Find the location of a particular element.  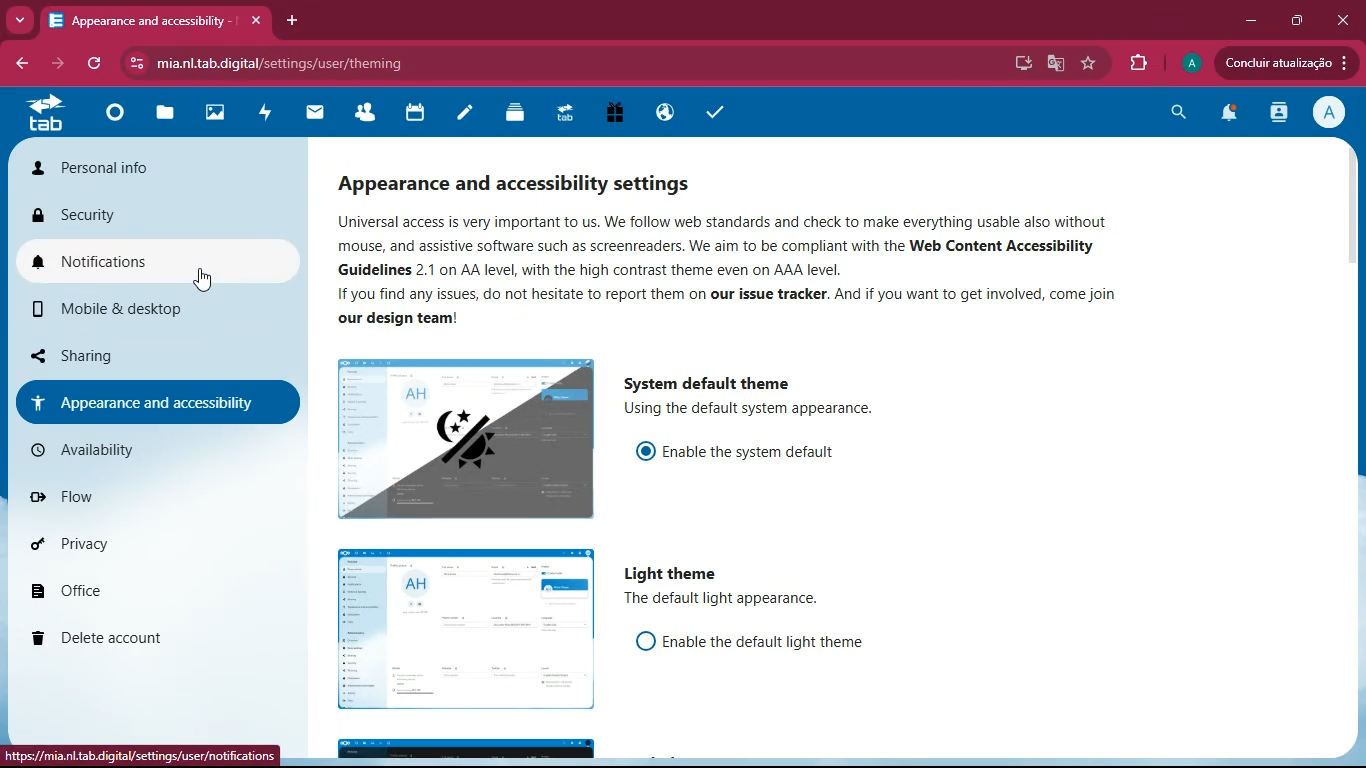

Concluir atualizacao is located at coordinates (1286, 62).